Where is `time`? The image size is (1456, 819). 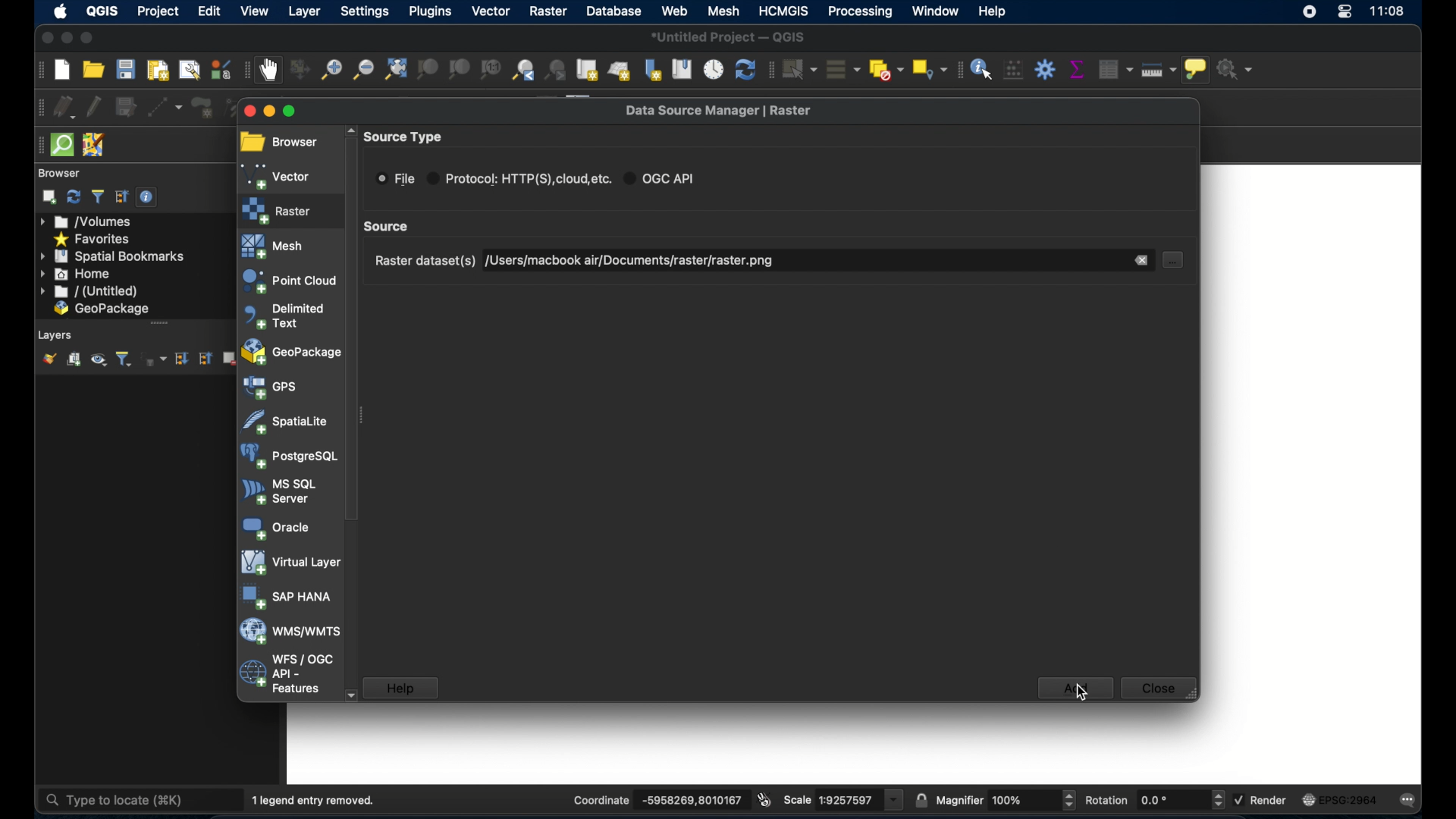 time is located at coordinates (1389, 13).